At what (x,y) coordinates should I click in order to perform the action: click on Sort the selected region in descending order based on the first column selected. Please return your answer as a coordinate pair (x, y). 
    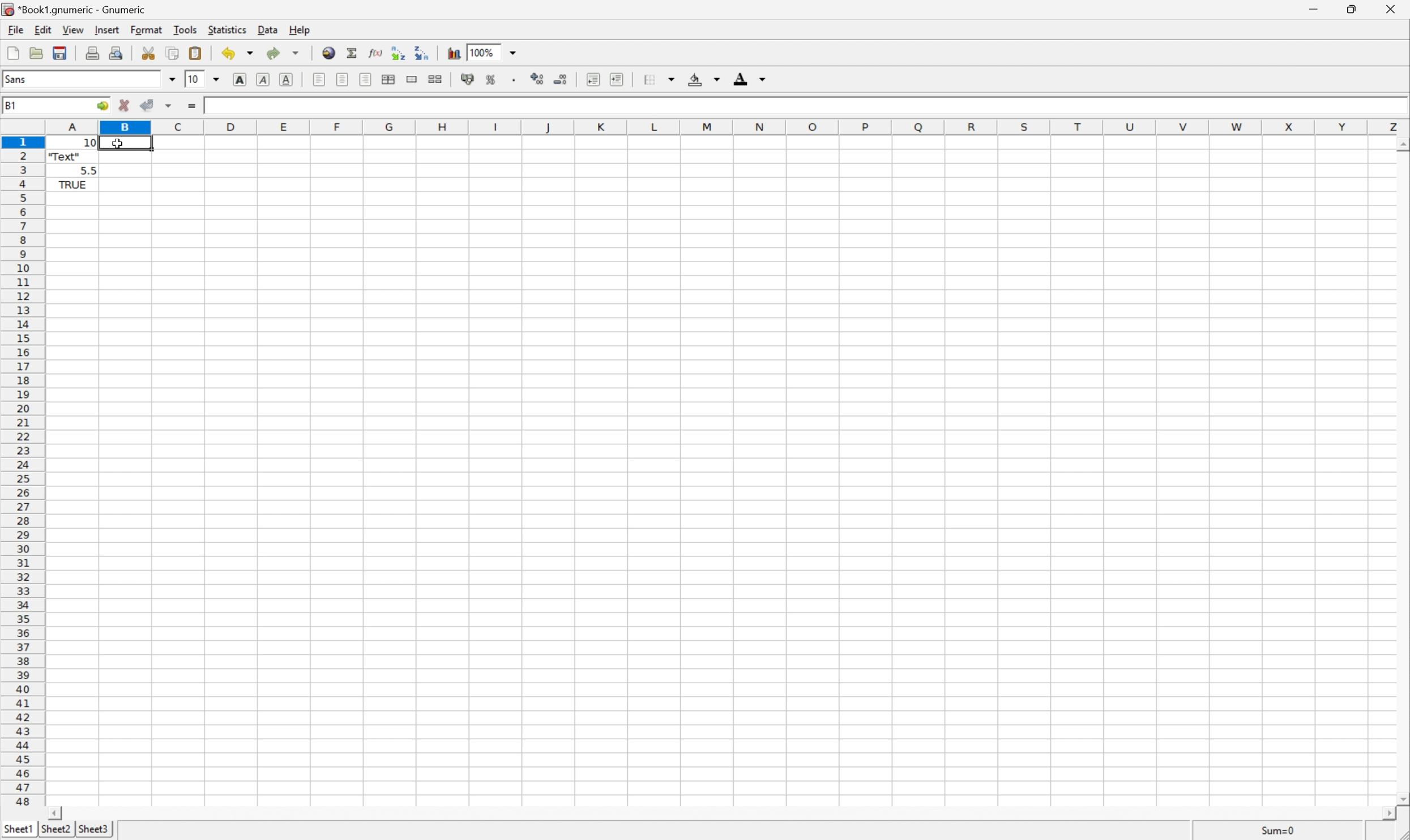
    Looking at the image, I should click on (422, 52).